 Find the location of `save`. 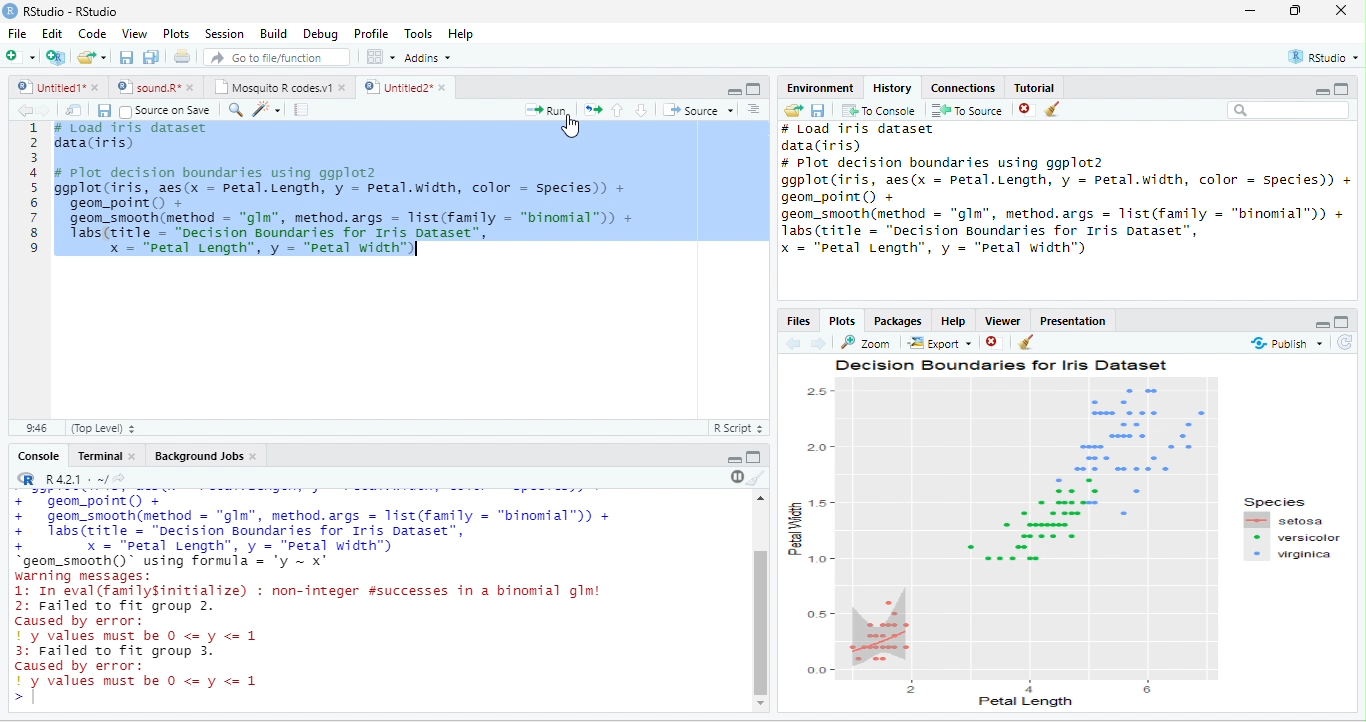

save is located at coordinates (126, 57).